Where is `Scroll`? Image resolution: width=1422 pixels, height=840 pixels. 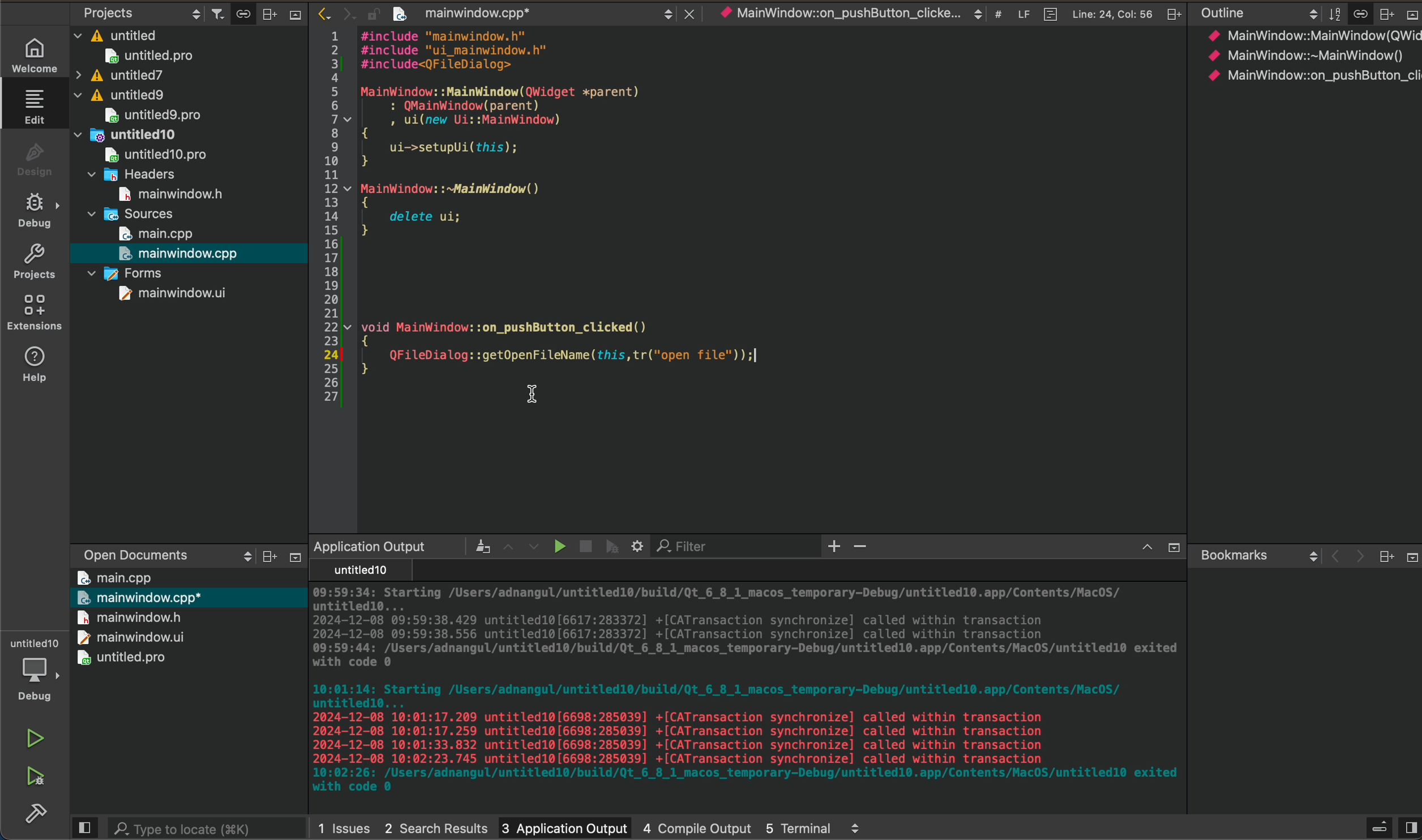
Scroll is located at coordinates (666, 12).